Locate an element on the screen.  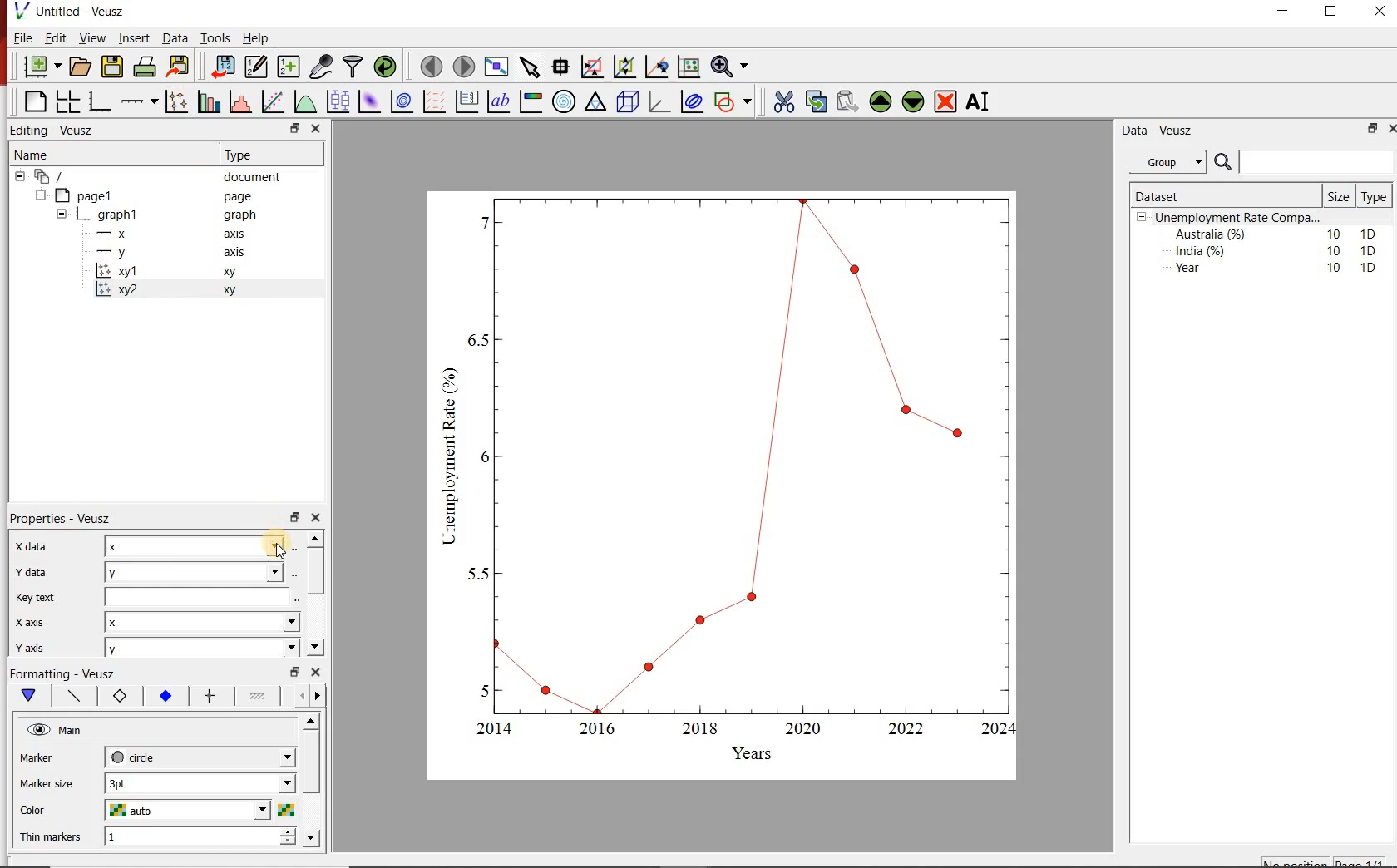
Size is located at coordinates (1340, 196).